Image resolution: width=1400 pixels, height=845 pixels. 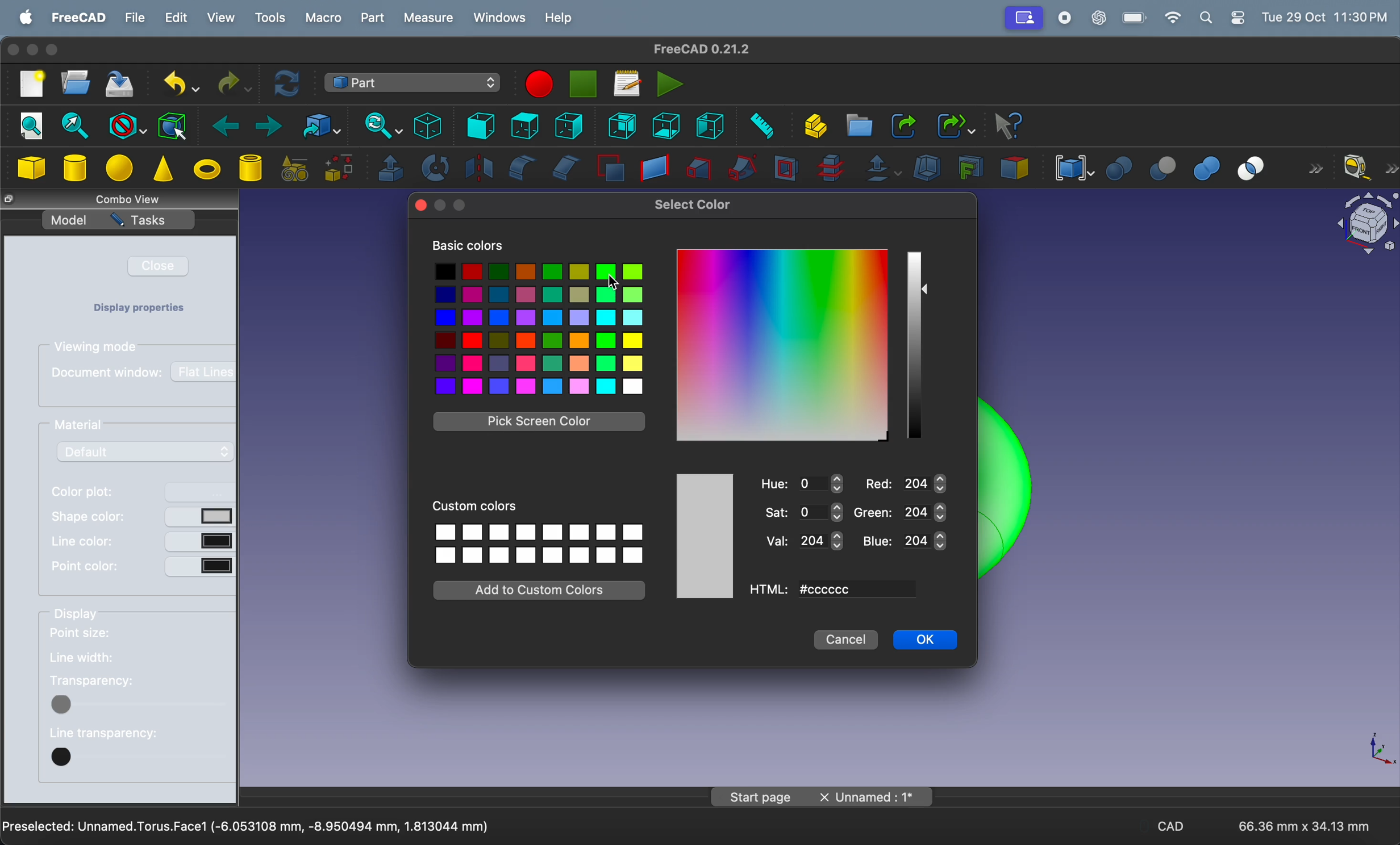 What do you see at coordinates (200, 518) in the screenshot?
I see `button` at bounding box center [200, 518].